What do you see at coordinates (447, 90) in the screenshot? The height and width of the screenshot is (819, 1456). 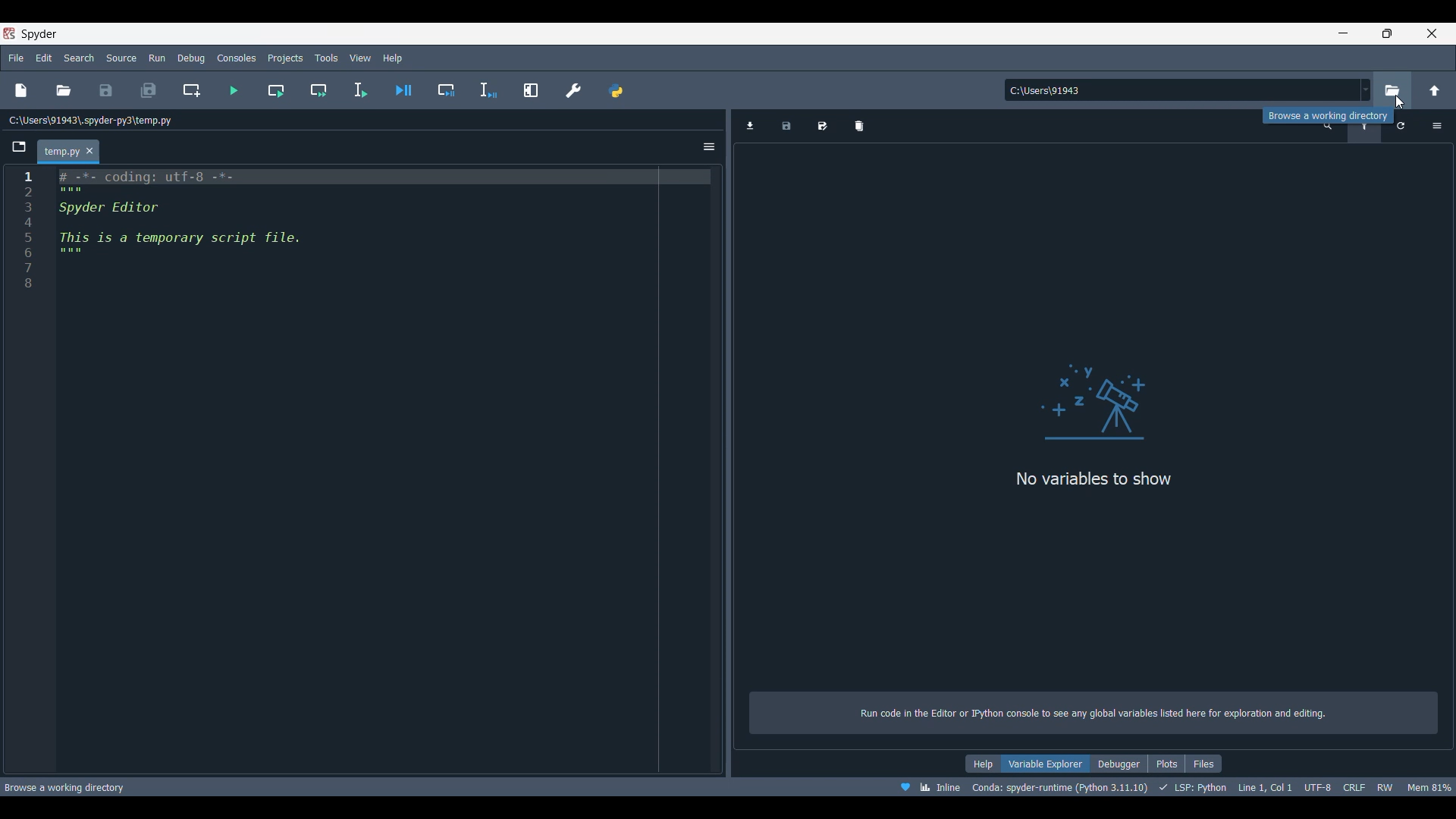 I see `Debug cell` at bounding box center [447, 90].